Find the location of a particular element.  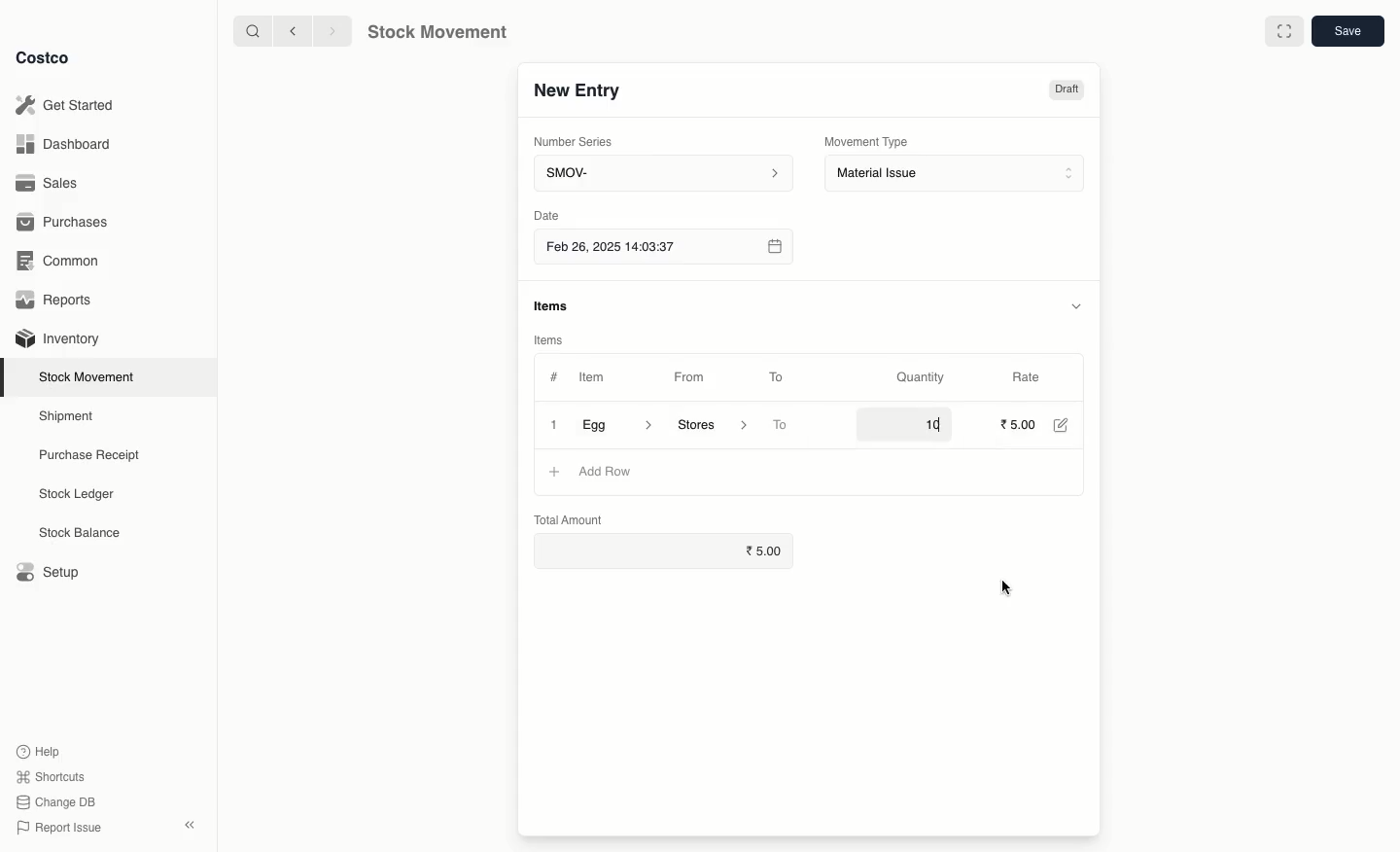

SMOV- is located at coordinates (663, 172).